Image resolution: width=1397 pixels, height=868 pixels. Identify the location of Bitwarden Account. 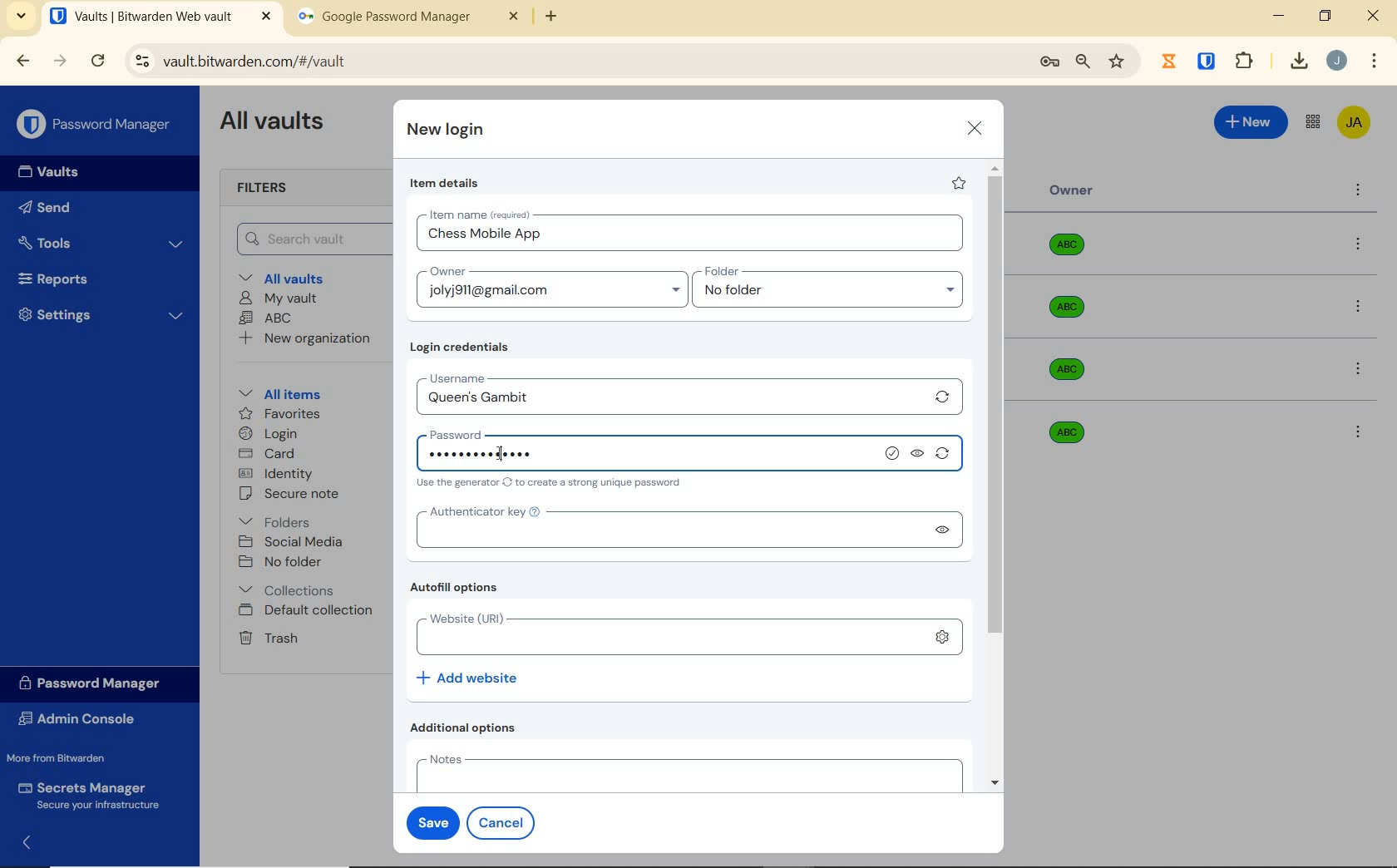
(1354, 124).